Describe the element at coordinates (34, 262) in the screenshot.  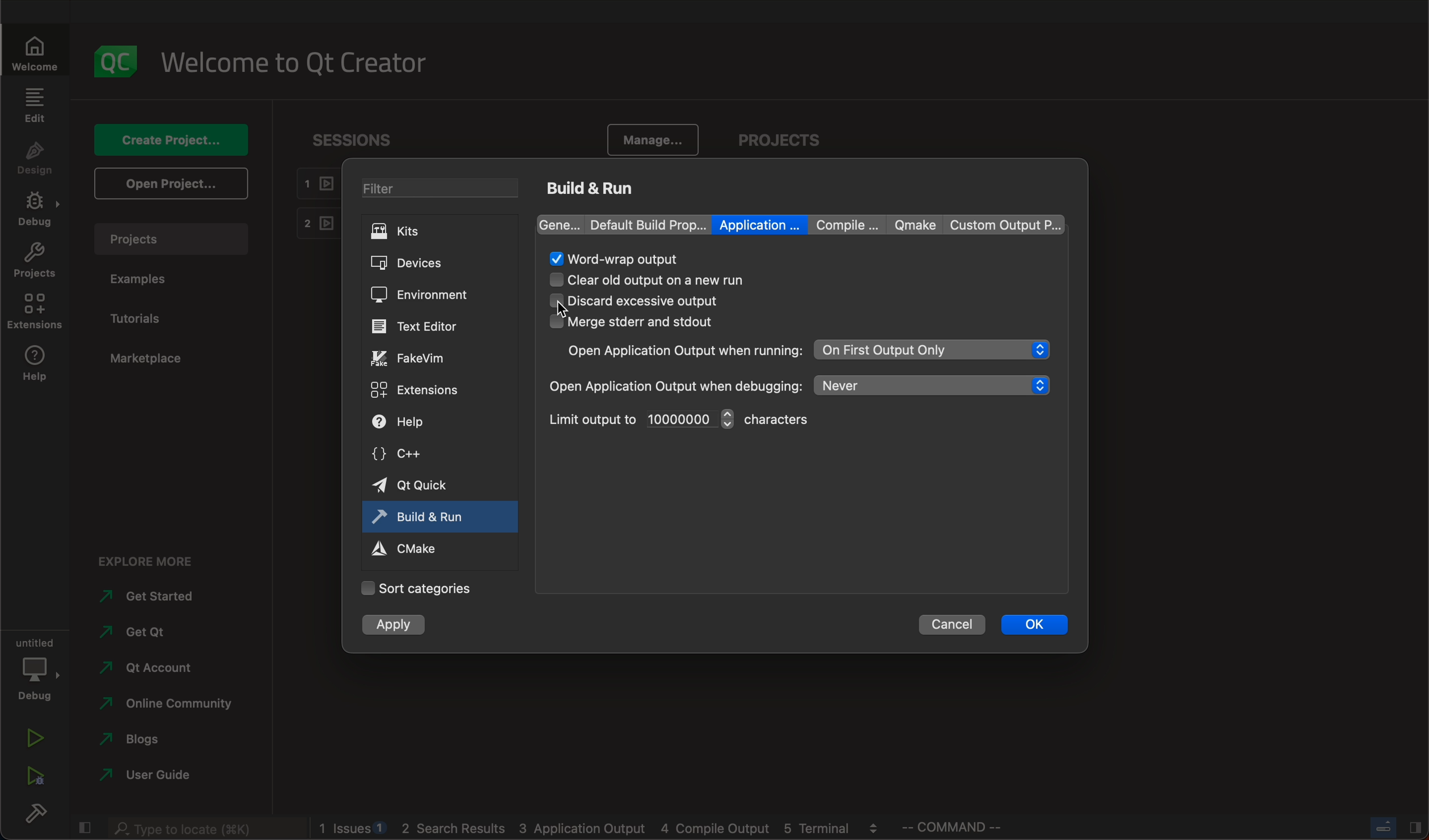
I see `projects` at that location.